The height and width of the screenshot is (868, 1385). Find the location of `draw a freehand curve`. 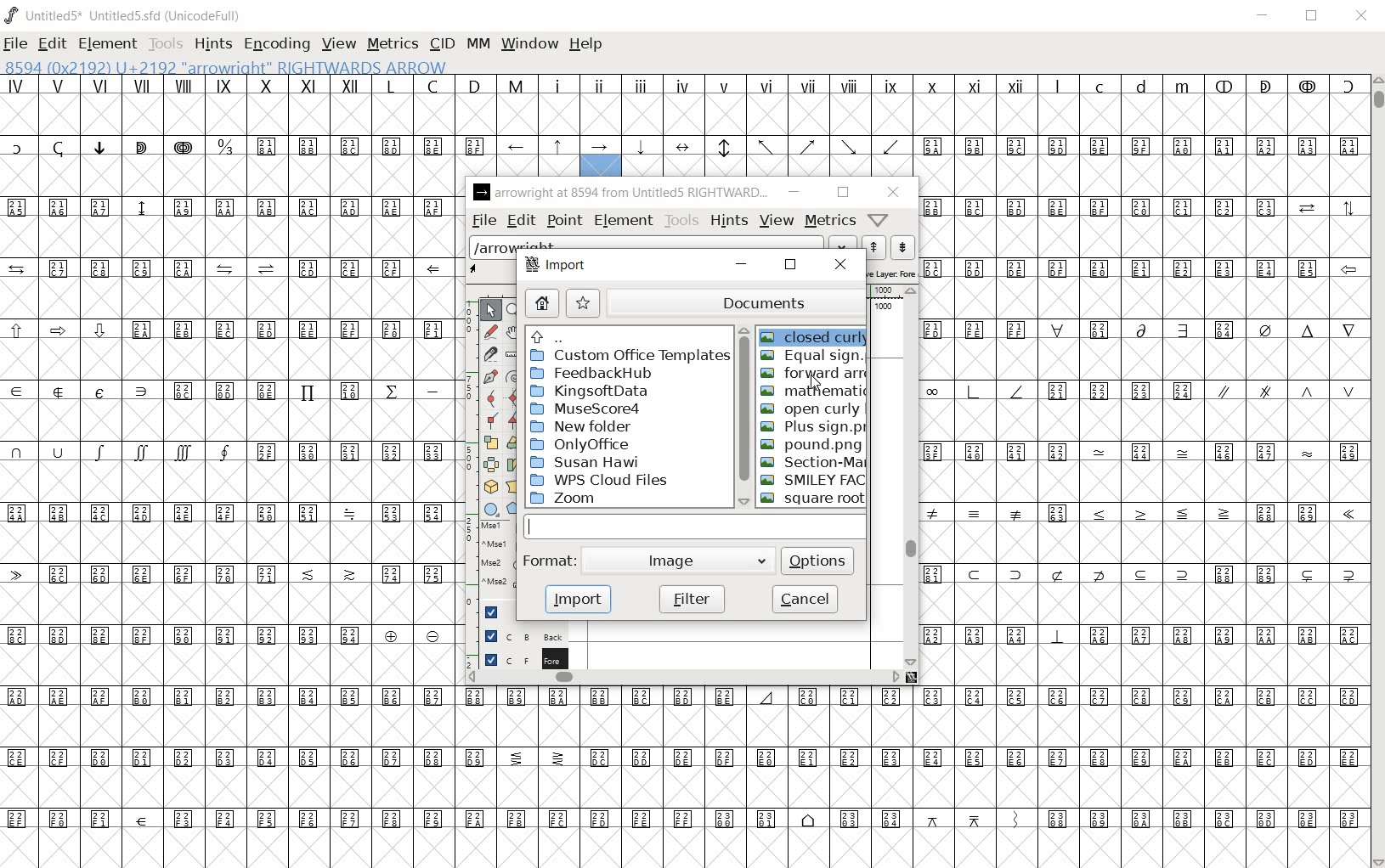

draw a freehand curve is located at coordinates (490, 331).